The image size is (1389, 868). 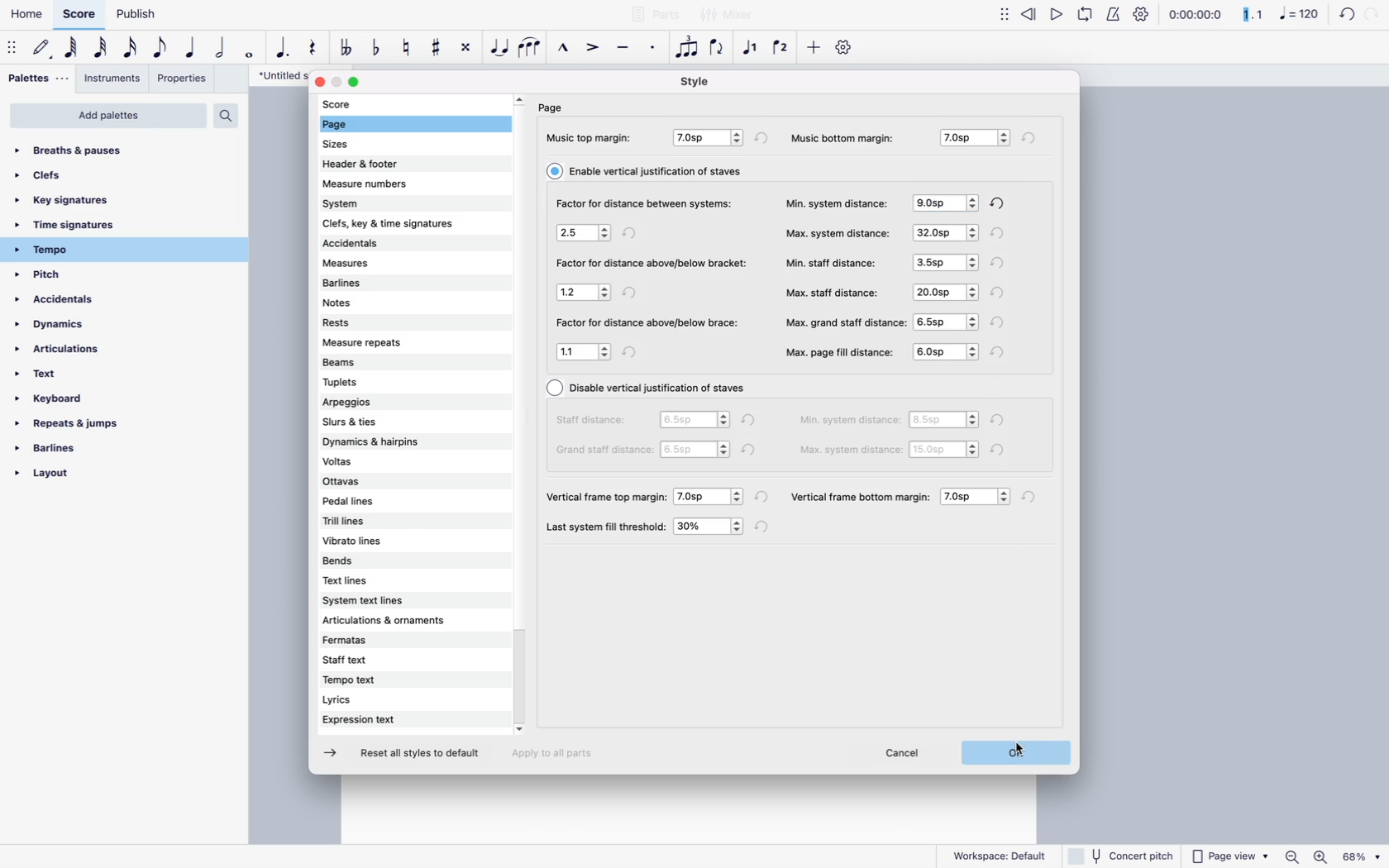 I want to click on minimize, so click(x=337, y=83).